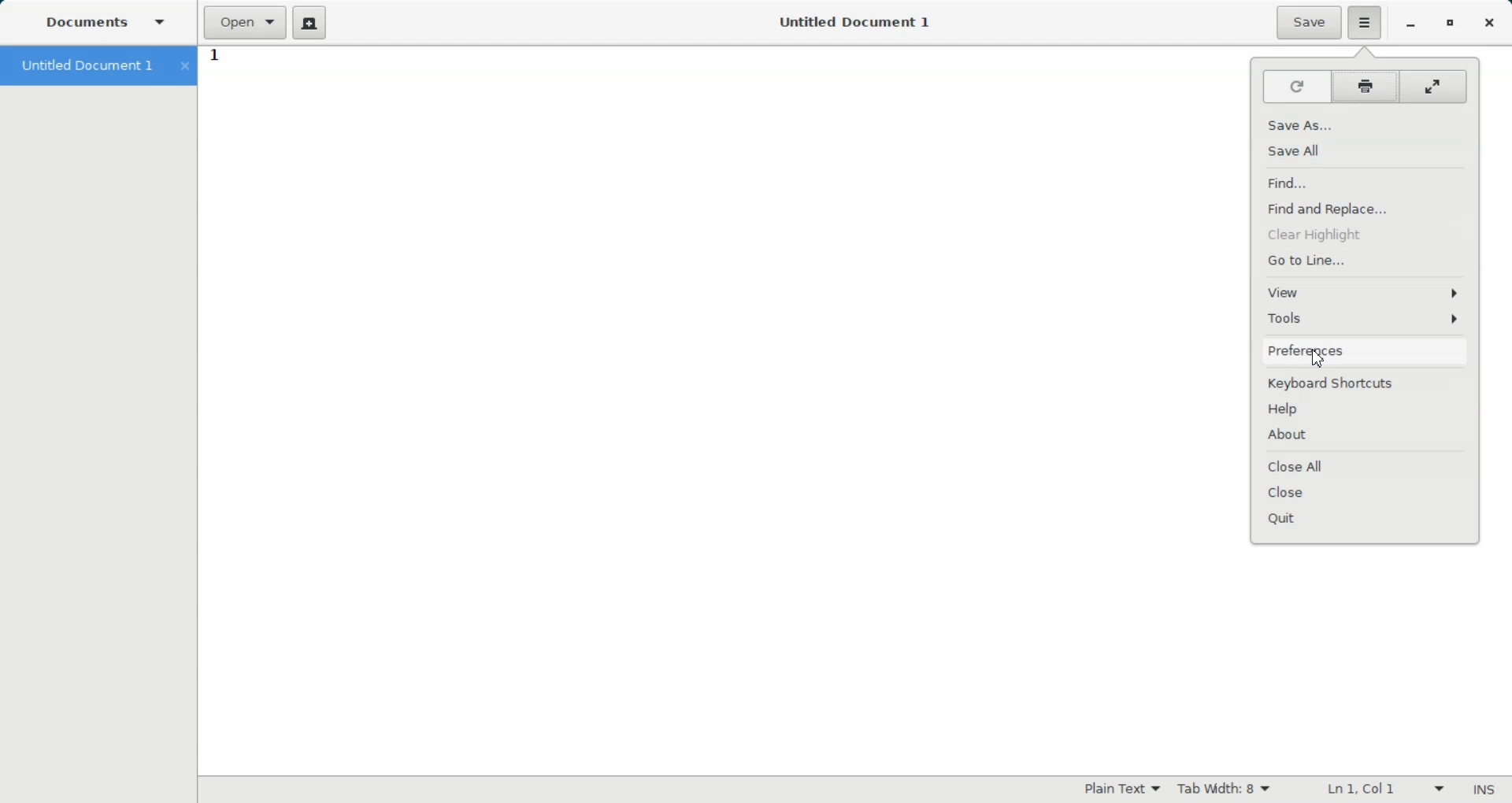  What do you see at coordinates (1366, 523) in the screenshot?
I see `Quit` at bounding box center [1366, 523].